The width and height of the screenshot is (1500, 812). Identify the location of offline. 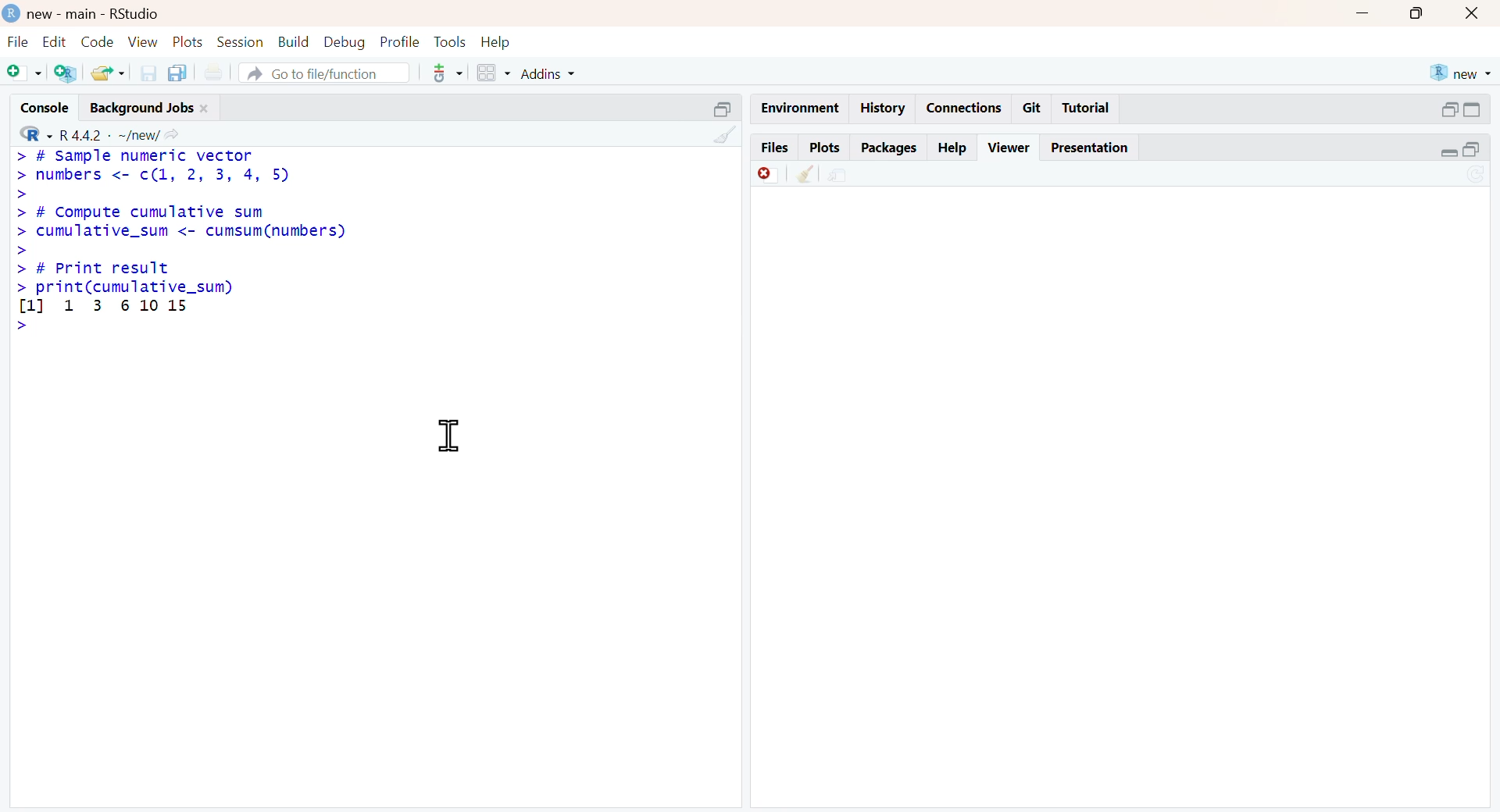
(768, 173).